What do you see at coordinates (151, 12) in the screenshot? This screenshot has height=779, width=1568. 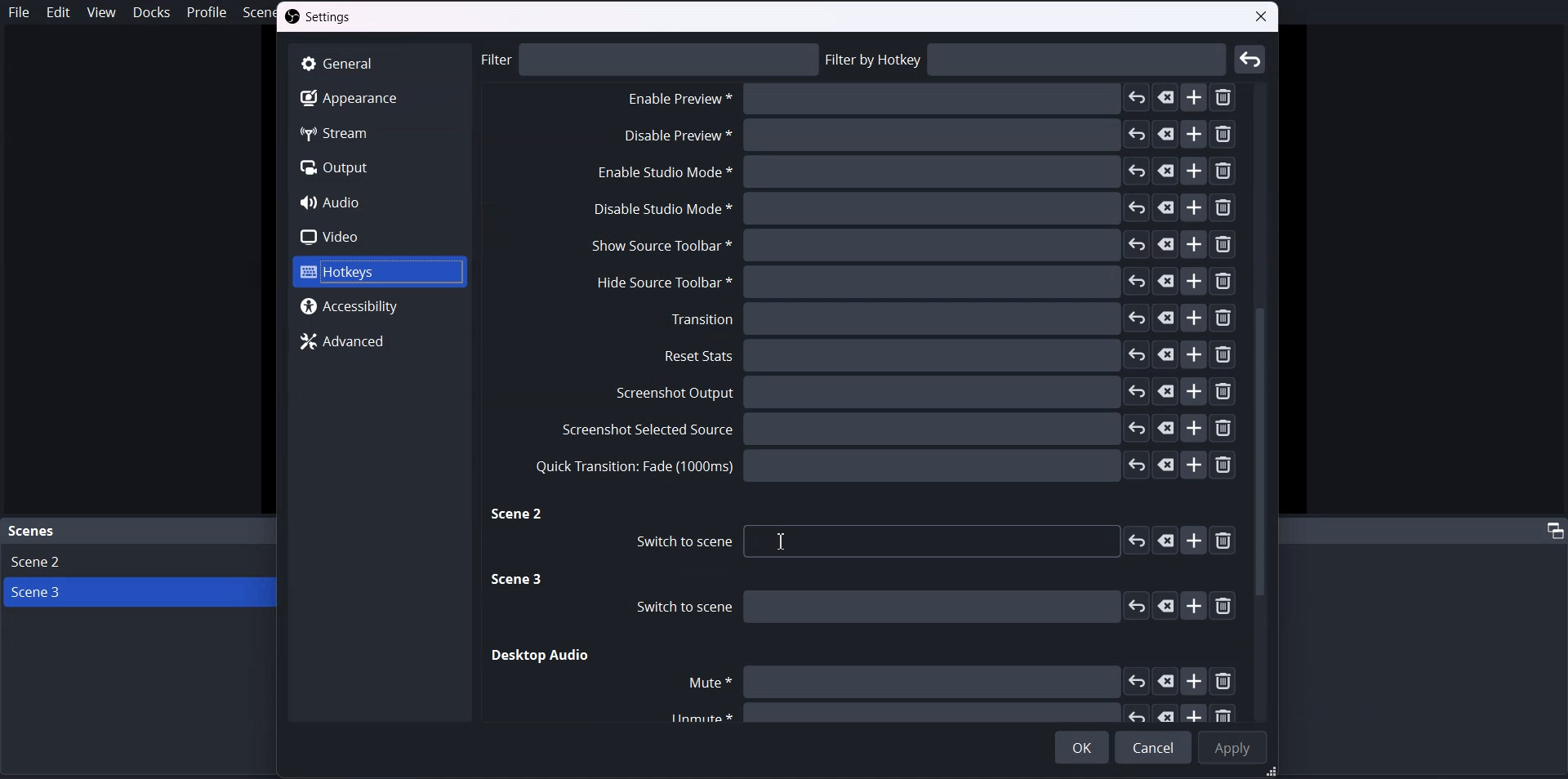 I see `Docks` at bounding box center [151, 12].